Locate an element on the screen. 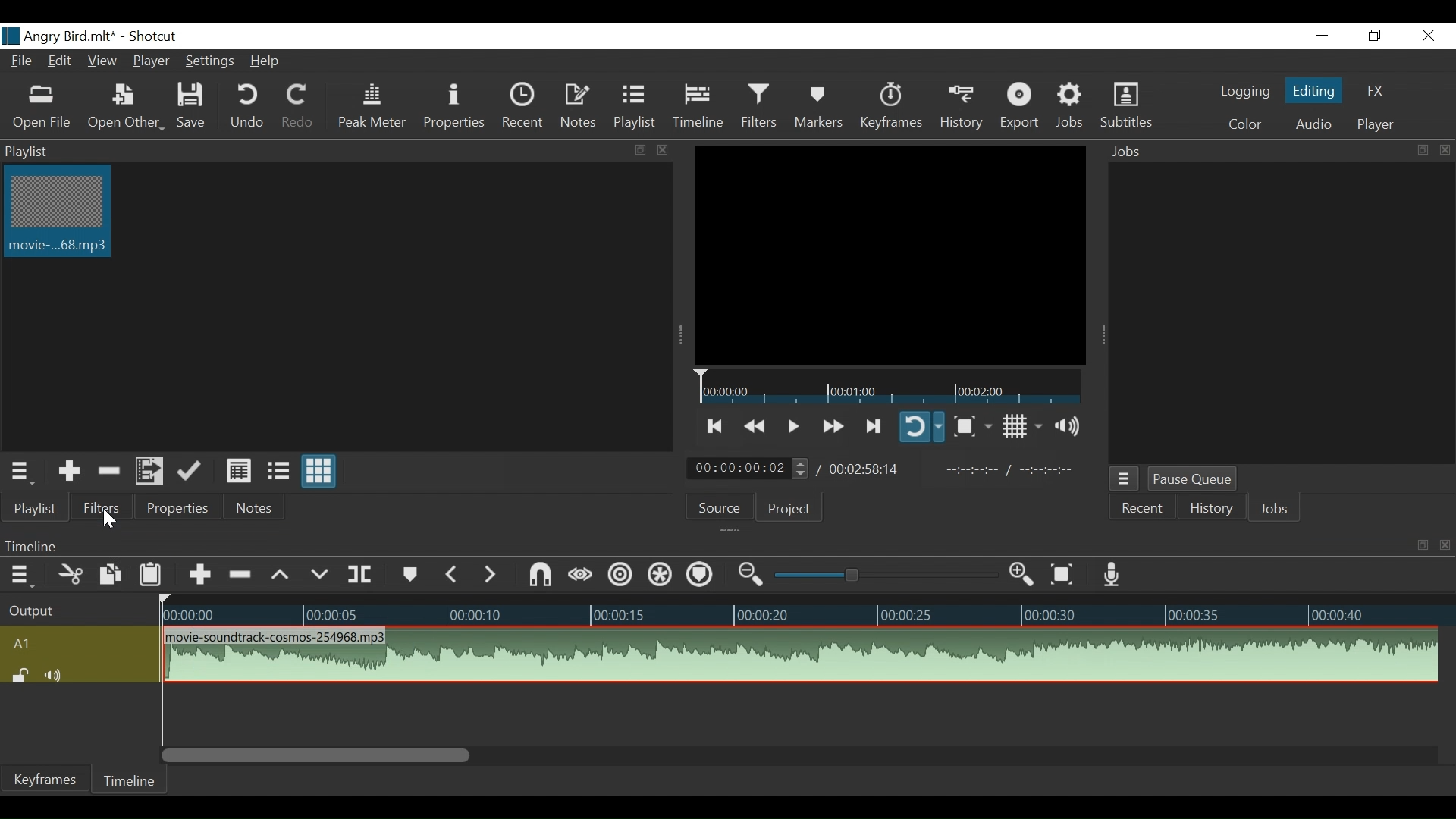 The width and height of the screenshot is (1456, 819). Close is located at coordinates (1429, 36).